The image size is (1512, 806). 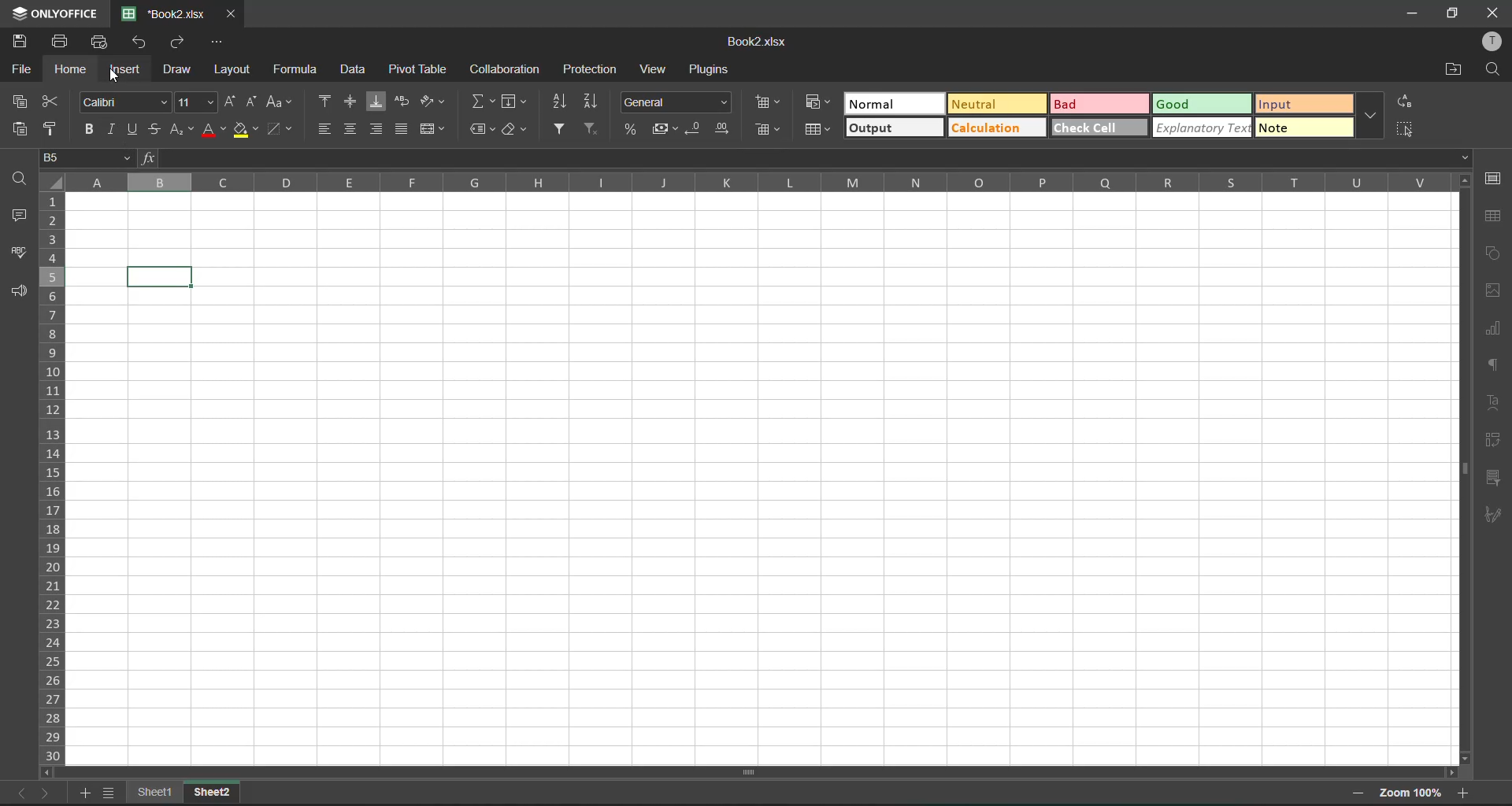 I want to click on neutral, so click(x=997, y=105).